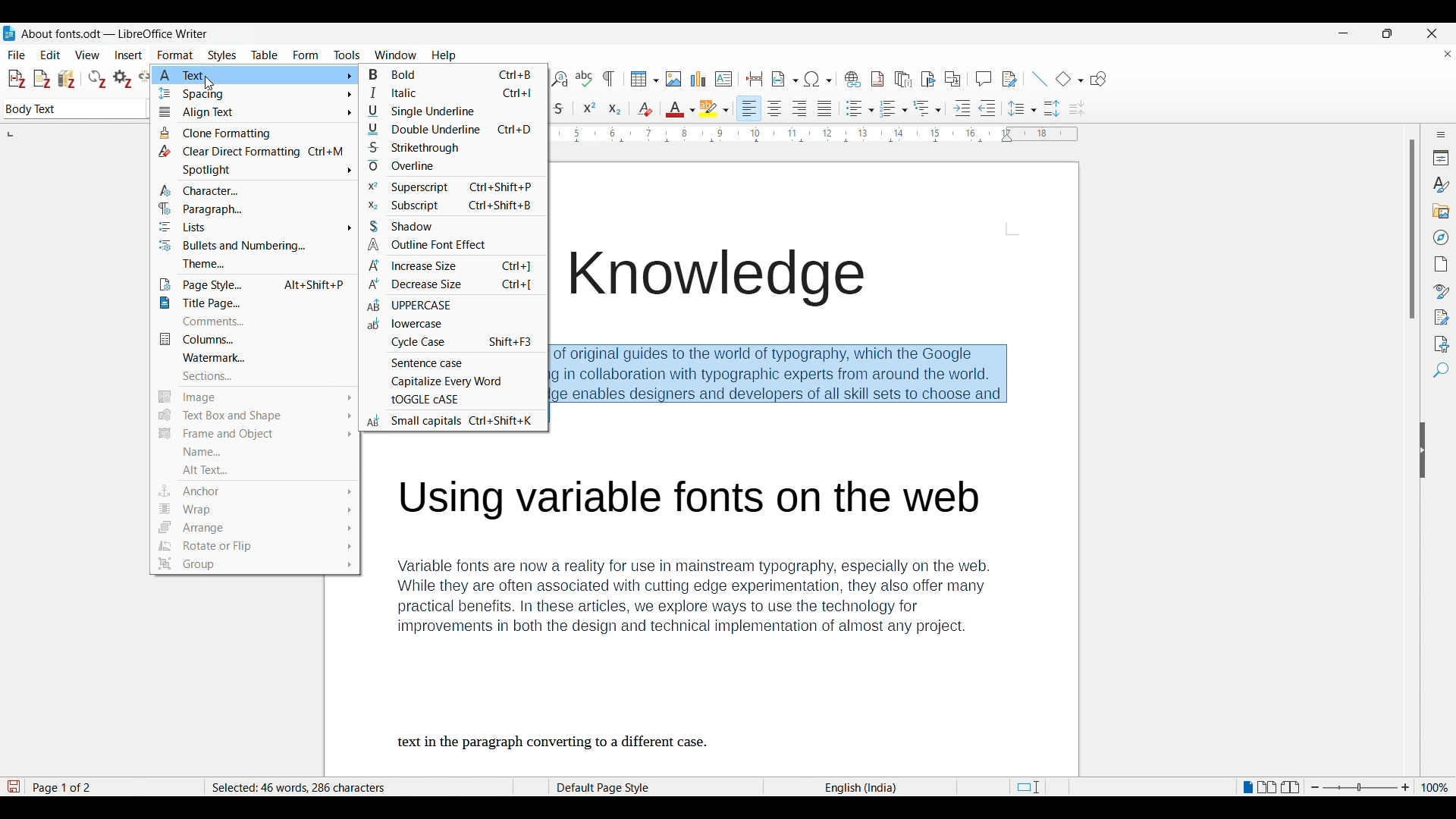  I want to click on Insert comment, so click(984, 79).